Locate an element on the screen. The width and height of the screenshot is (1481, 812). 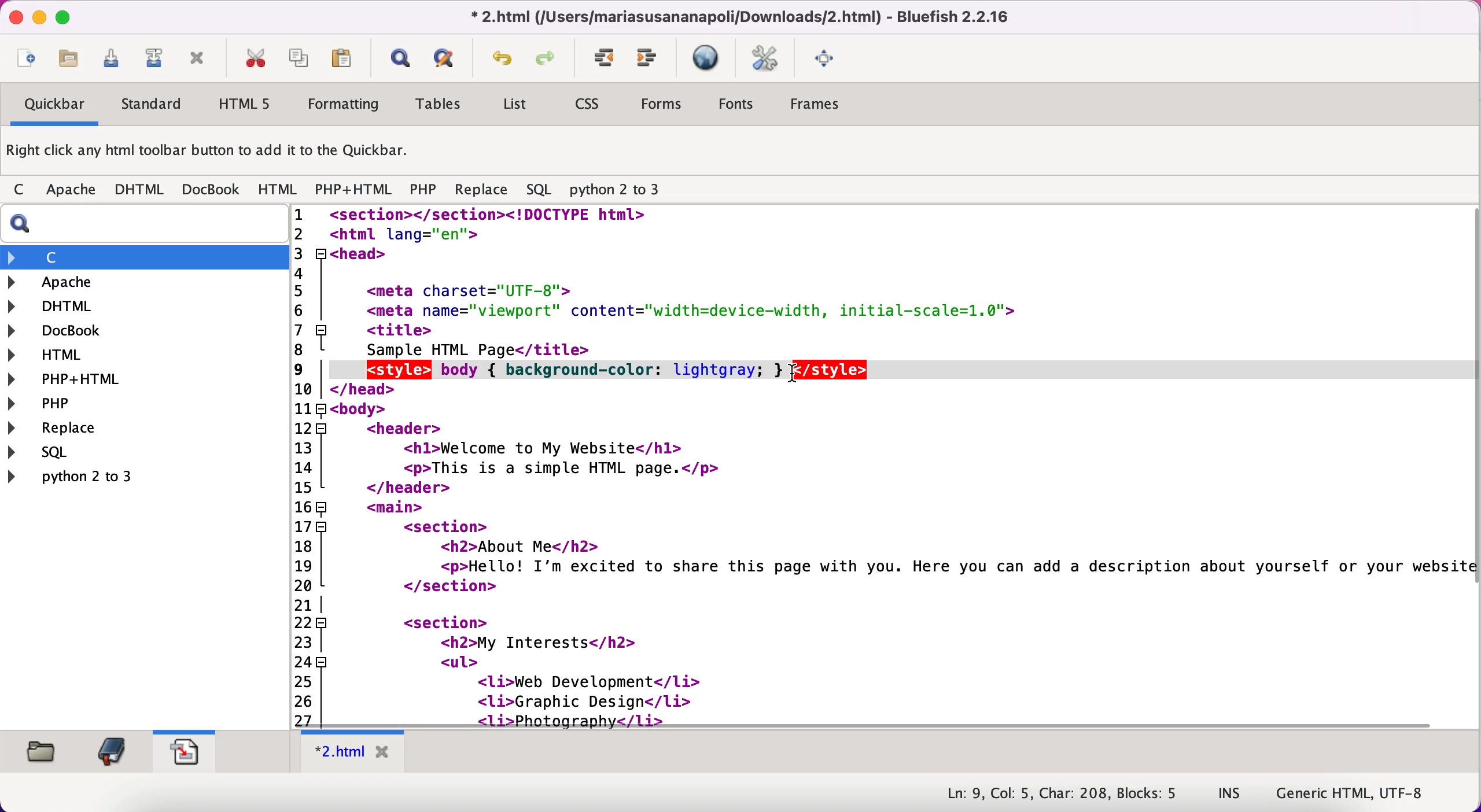
minimize is located at coordinates (38, 18).